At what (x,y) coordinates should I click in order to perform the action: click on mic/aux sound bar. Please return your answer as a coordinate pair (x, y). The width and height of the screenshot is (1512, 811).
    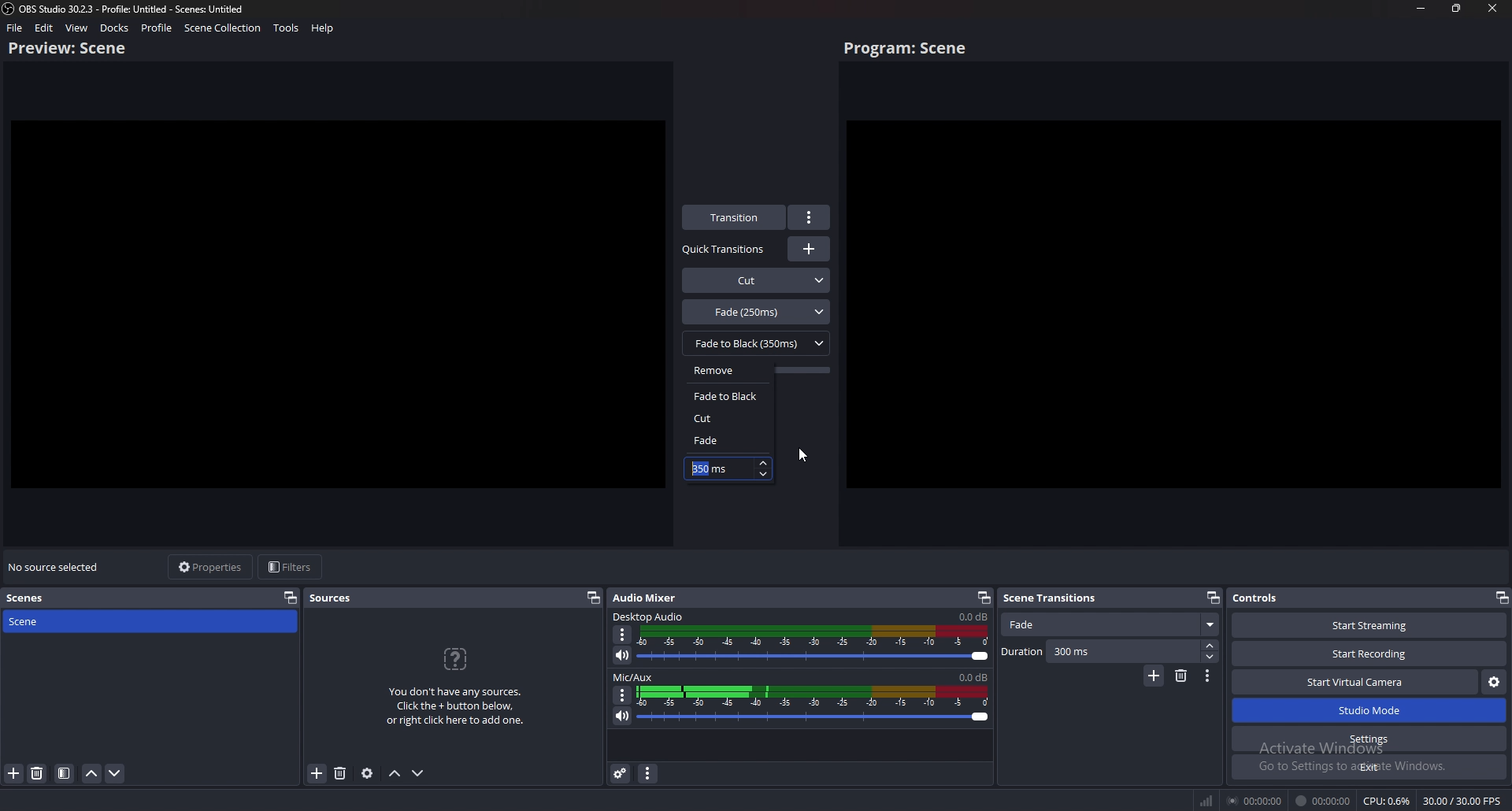
    Looking at the image, I should click on (814, 706).